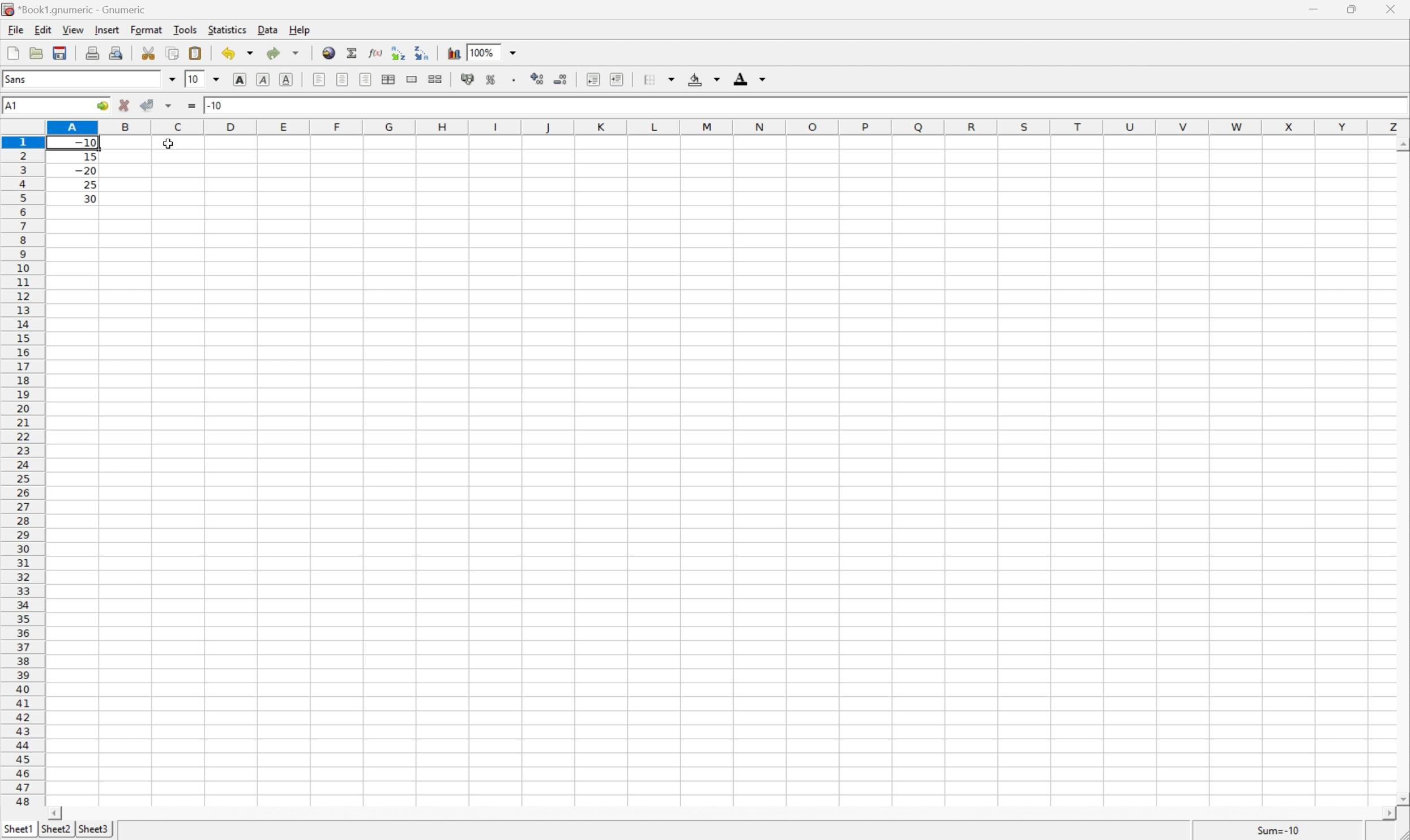  I want to click on Insert, so click(108, 30).